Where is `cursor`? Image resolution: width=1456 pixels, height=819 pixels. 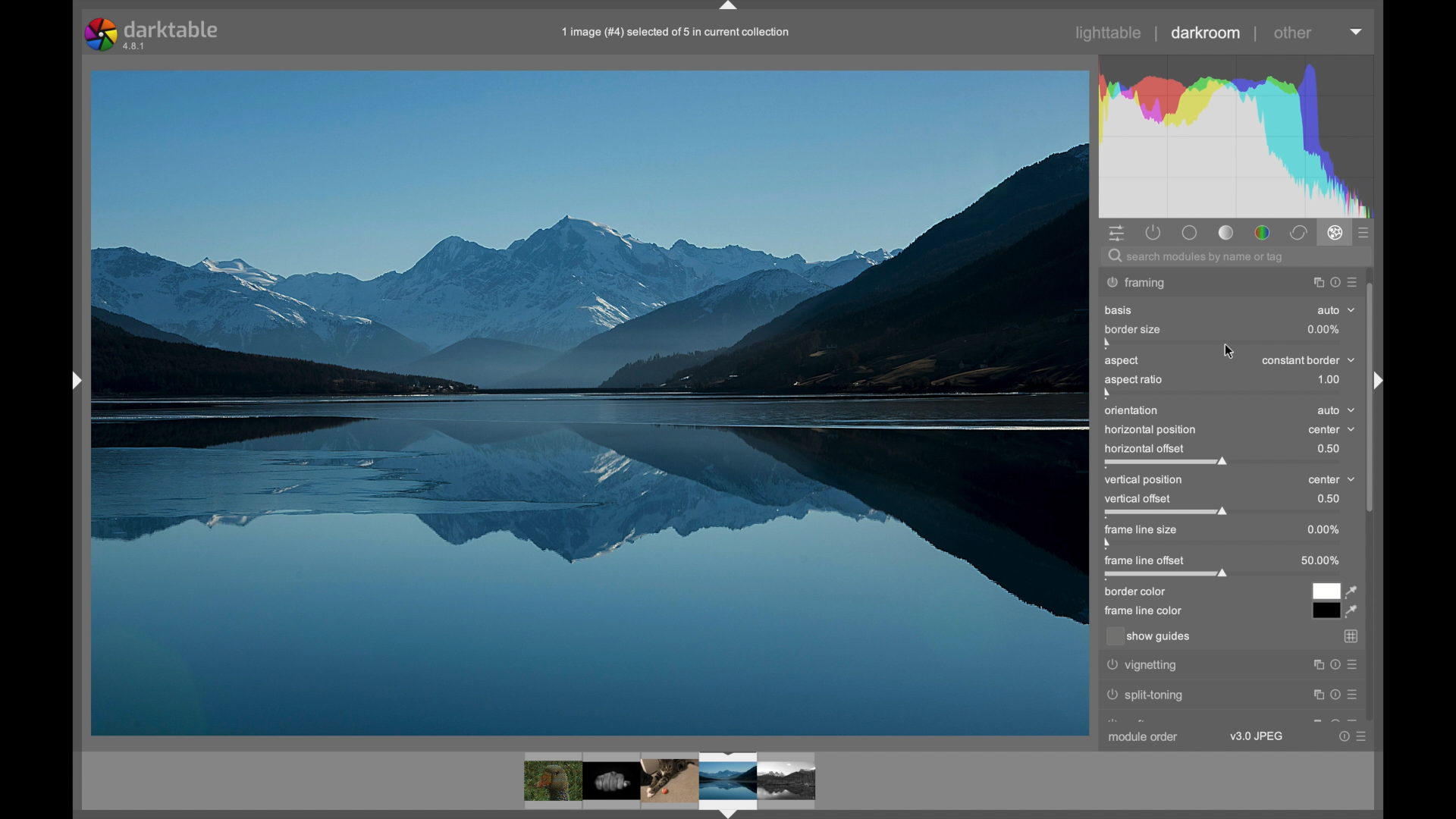 cursor is located at coordinates (1229, 353).